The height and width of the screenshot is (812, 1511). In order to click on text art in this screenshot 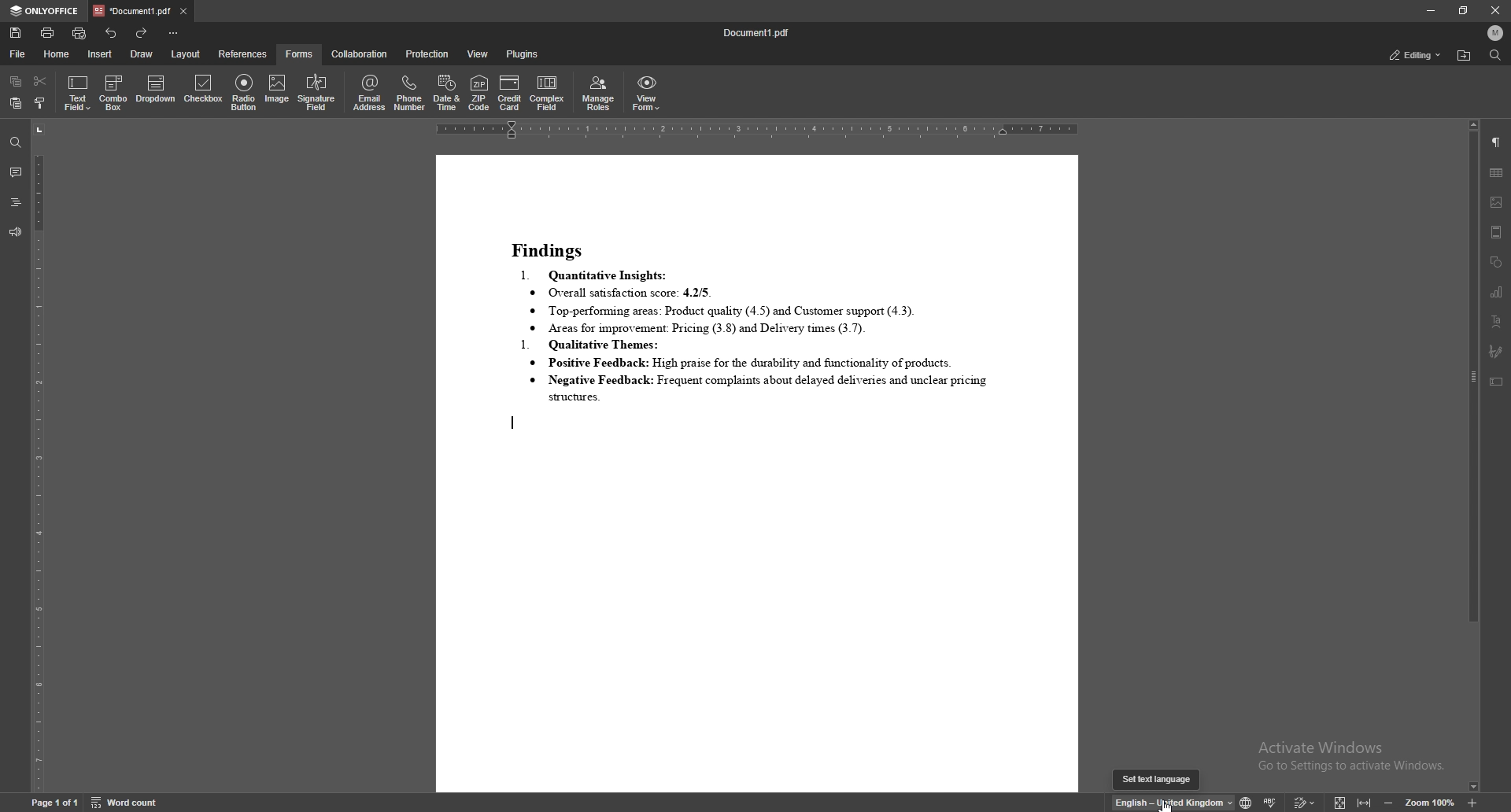, I will do `click(1497, 321)`.